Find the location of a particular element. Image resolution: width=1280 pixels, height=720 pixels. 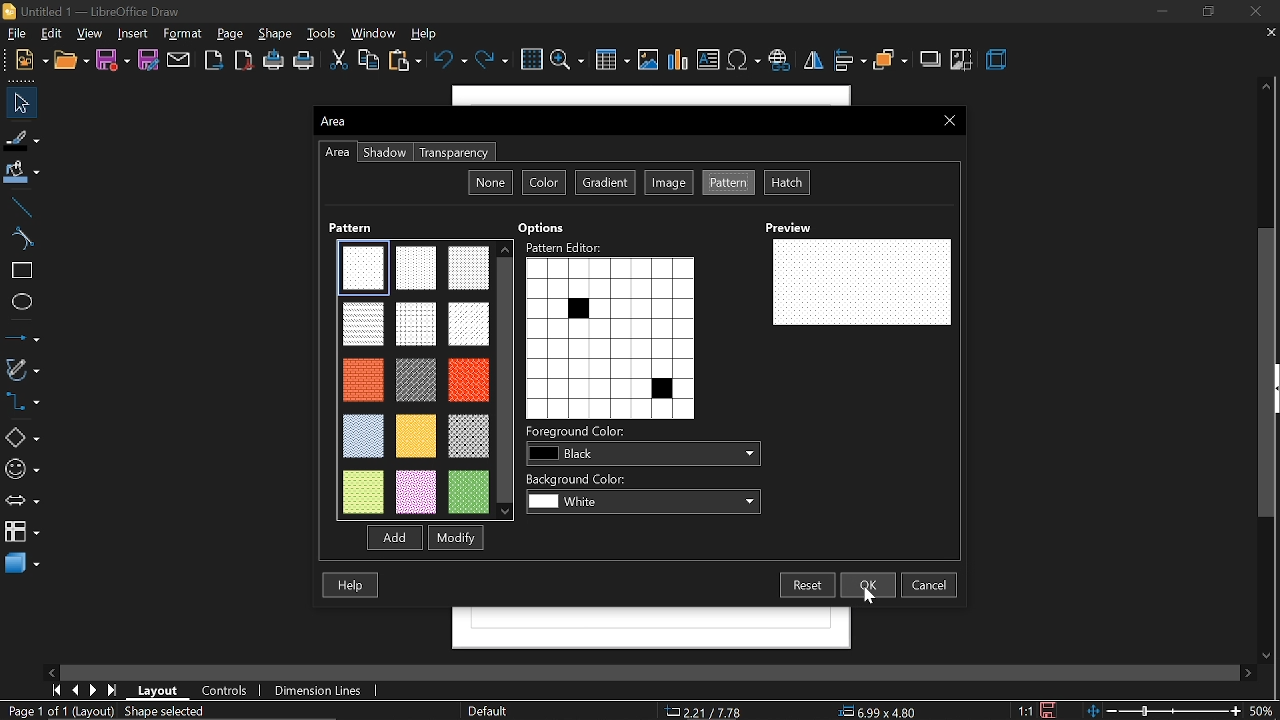

Foreground Color is located at coordinates (580, 431).